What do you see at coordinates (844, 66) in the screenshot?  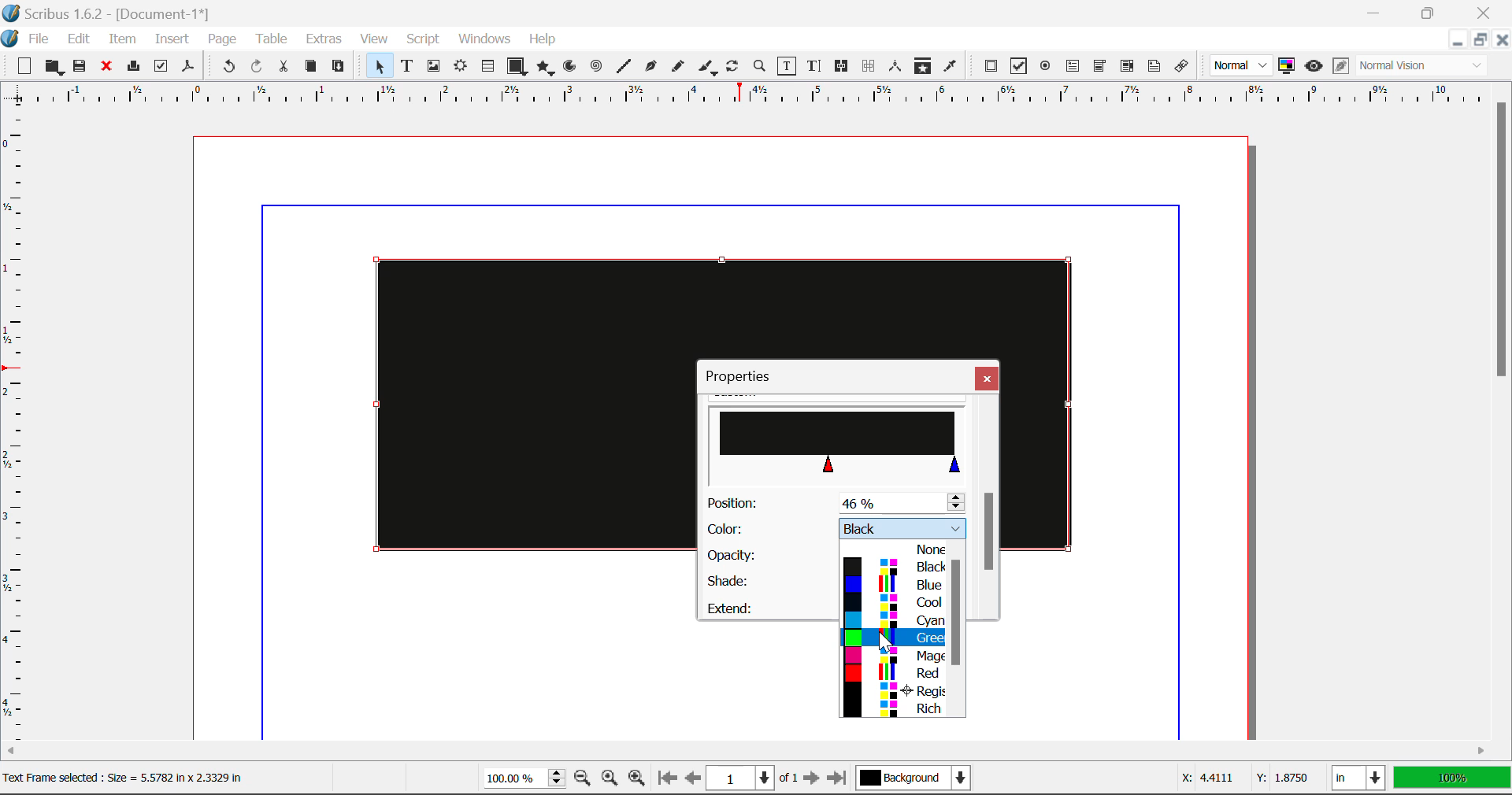 I see `Link Frames` at bounding box center [844, 66].